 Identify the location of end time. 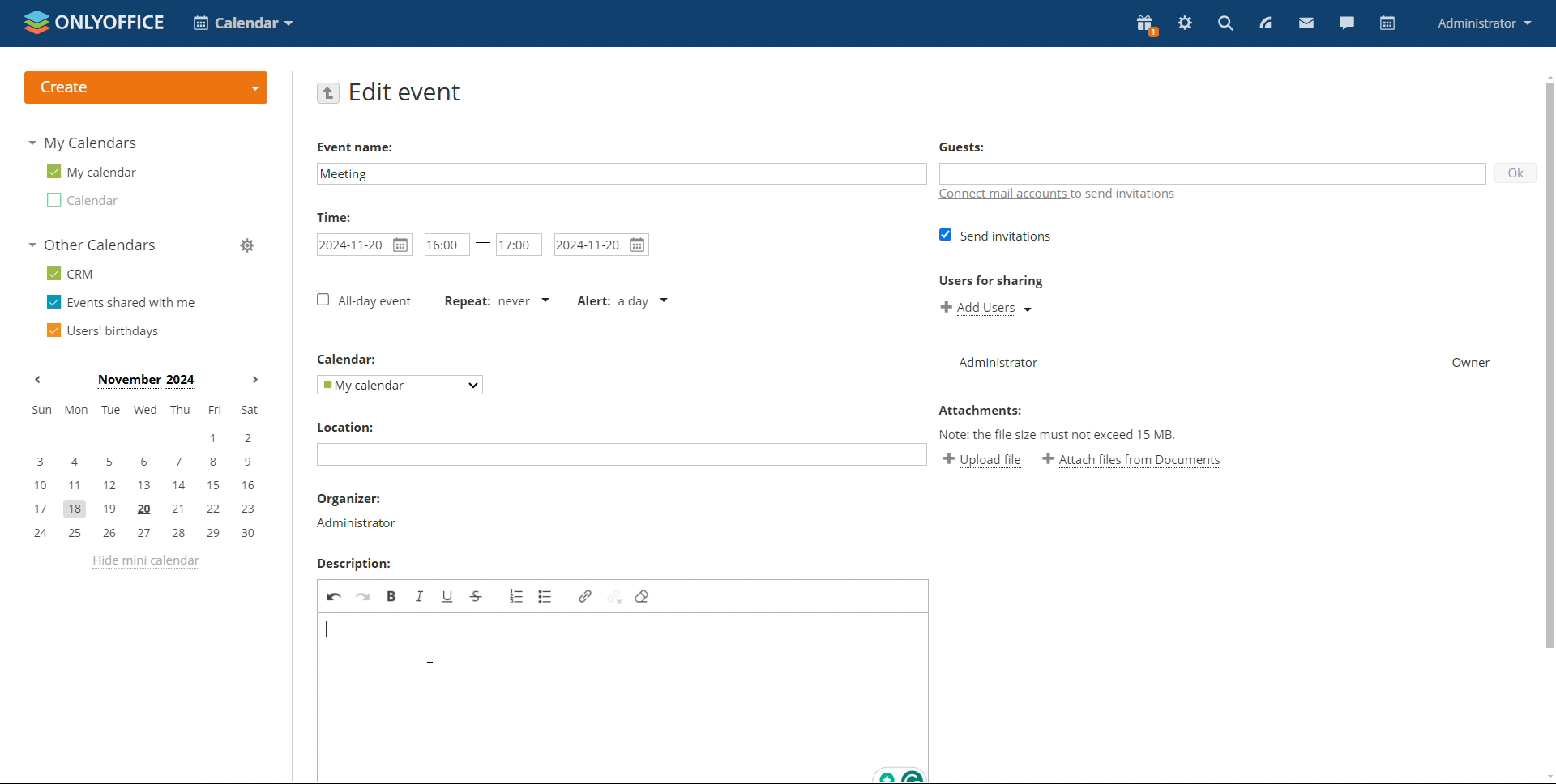
(519, 245).